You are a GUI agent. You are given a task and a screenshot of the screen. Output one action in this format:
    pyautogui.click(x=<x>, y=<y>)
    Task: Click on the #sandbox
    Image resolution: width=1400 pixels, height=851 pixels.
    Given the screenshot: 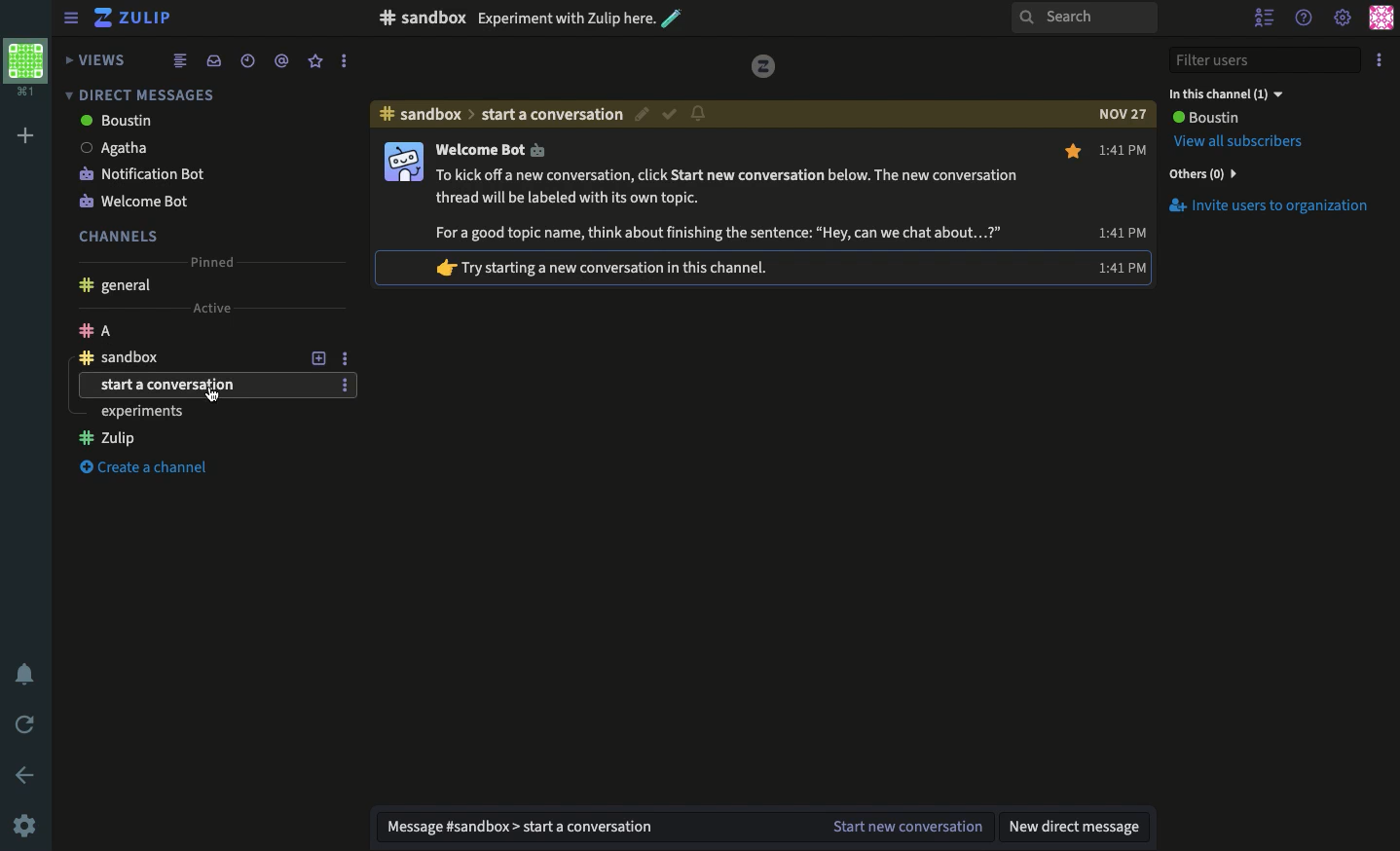 What is the action you would take?
    pyautogui.click(x=421, y=114)
    